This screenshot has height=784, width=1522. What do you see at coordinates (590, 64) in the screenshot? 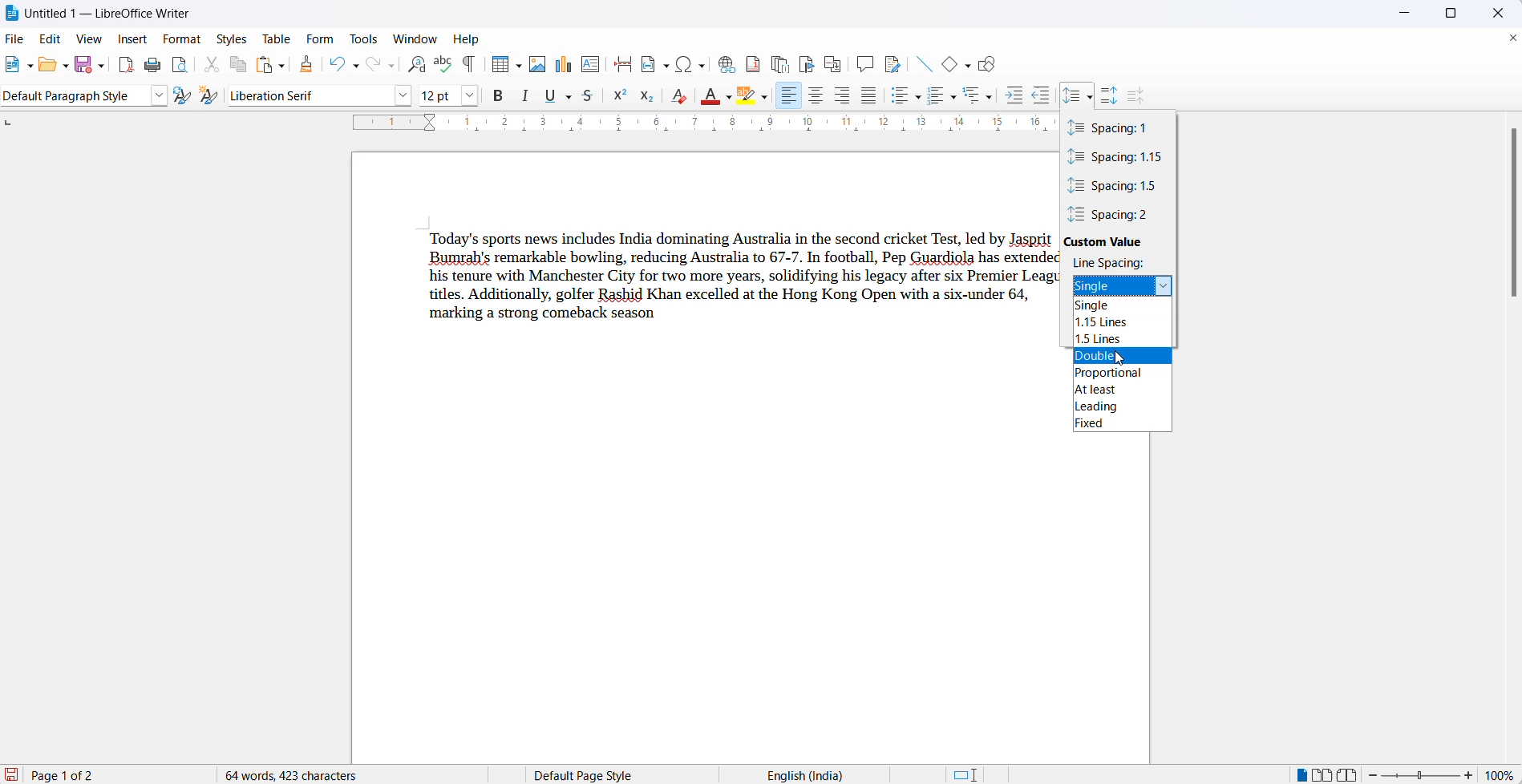
I see `insert text` at bounding box center [590, 64].